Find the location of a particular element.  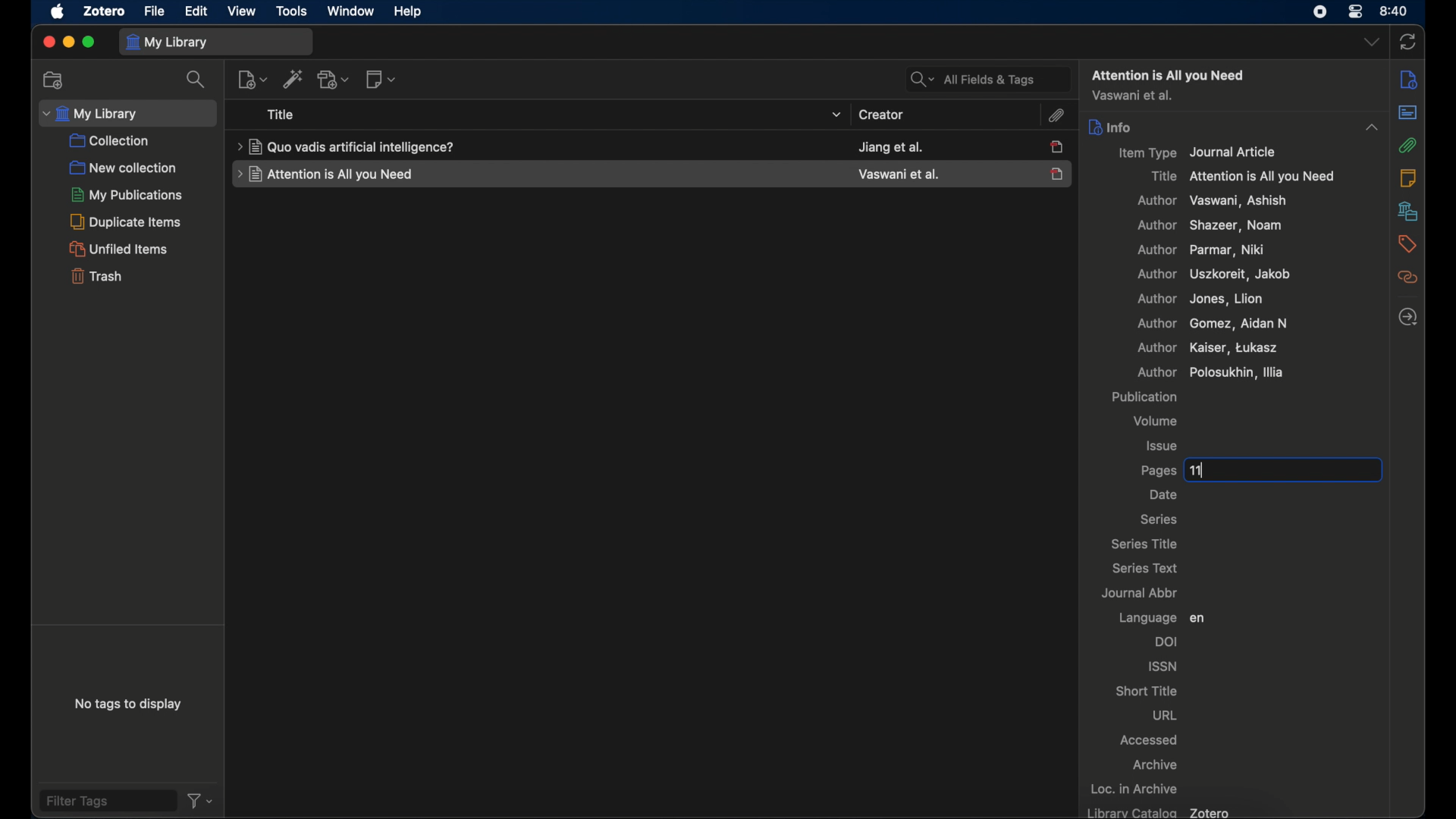

creator is located at coordinates (880, 115).